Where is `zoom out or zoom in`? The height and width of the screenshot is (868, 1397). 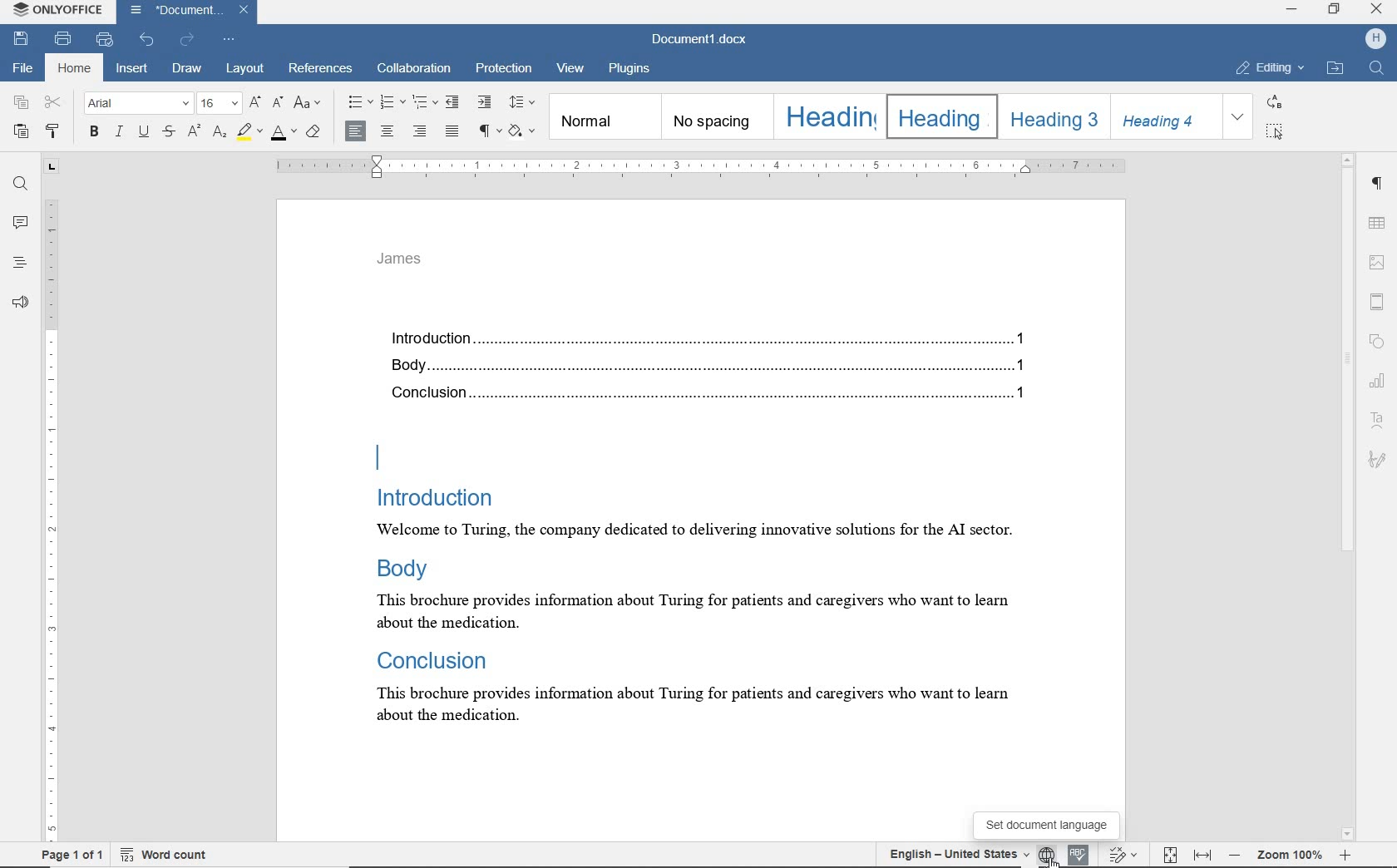 zoom out or zoom in is located at coordinates (1293, 853).